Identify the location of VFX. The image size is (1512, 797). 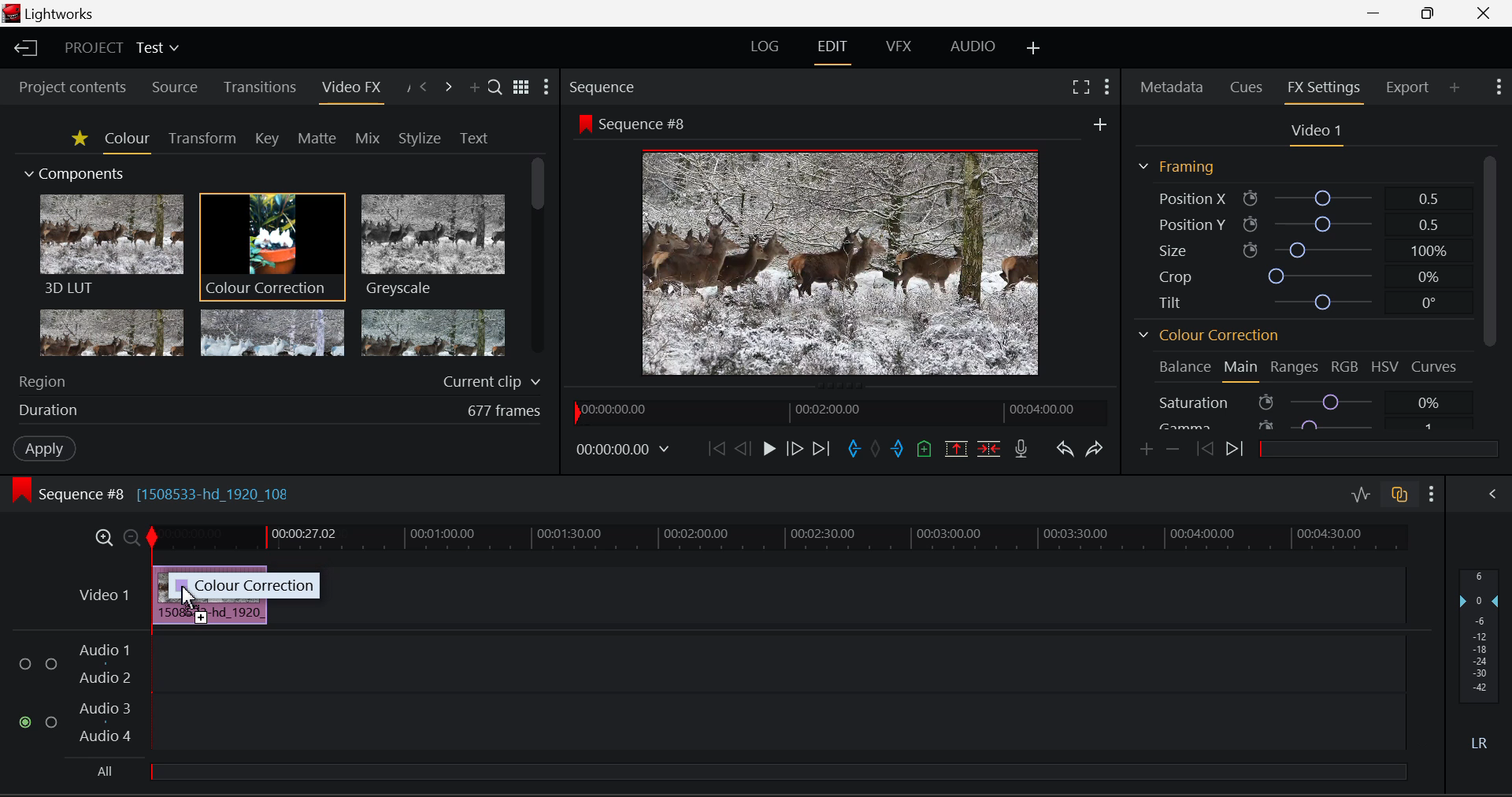
(898, 48).